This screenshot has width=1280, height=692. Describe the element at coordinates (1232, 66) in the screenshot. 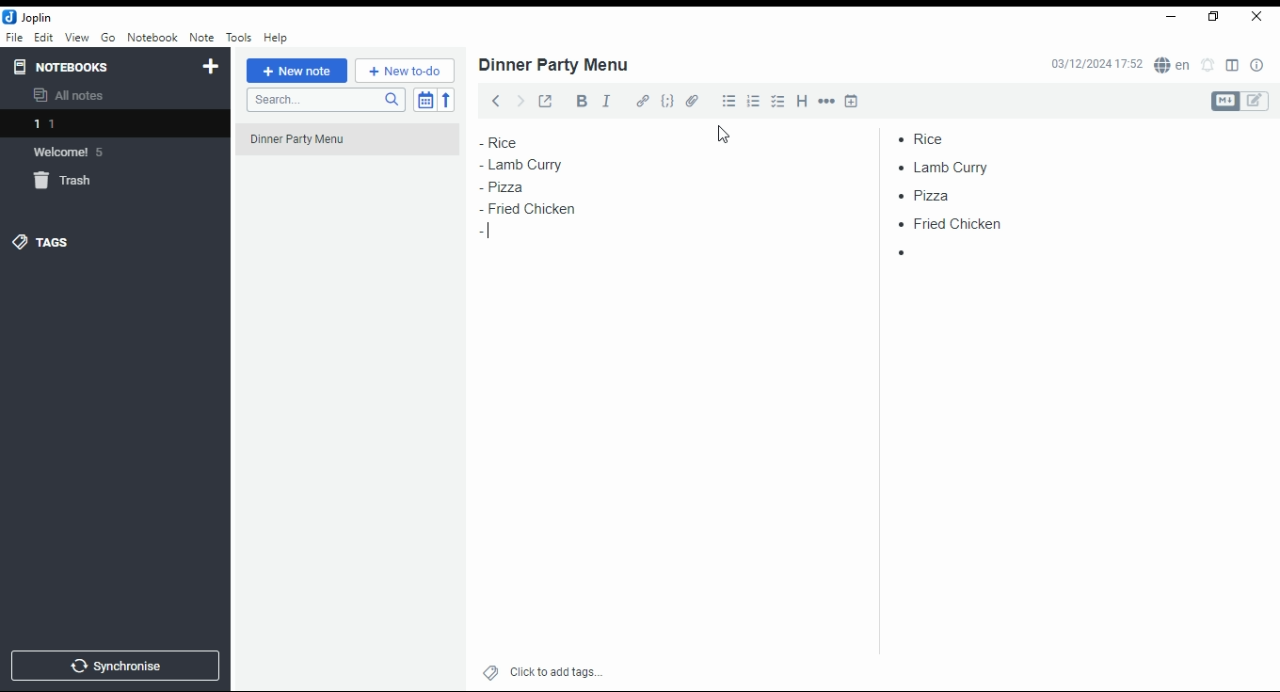

I see `toggle editor layout` at that location.